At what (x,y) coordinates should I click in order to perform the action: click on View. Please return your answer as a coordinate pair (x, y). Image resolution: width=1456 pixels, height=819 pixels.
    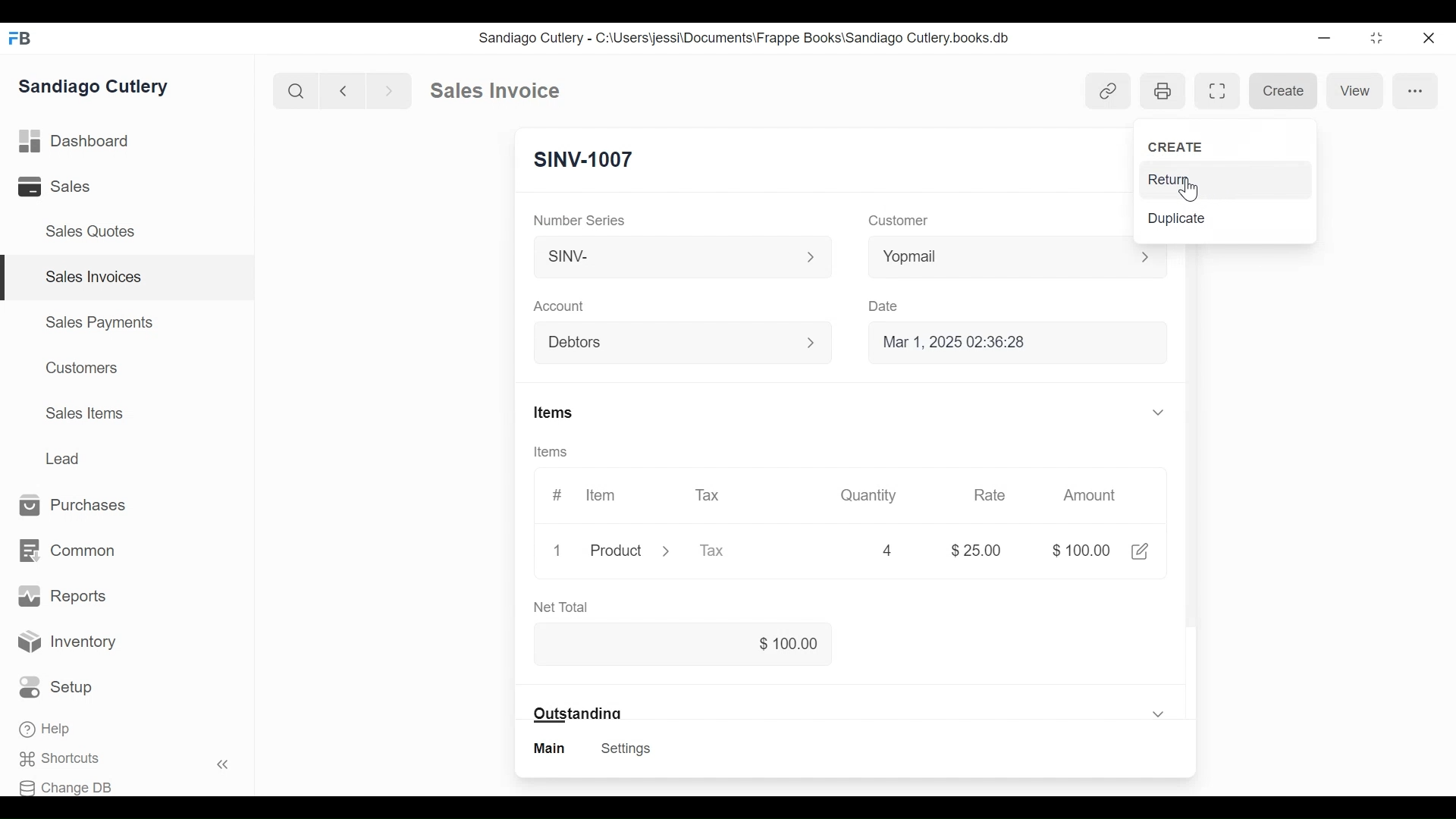
    Looking at the image, I should click on (1356, 91).